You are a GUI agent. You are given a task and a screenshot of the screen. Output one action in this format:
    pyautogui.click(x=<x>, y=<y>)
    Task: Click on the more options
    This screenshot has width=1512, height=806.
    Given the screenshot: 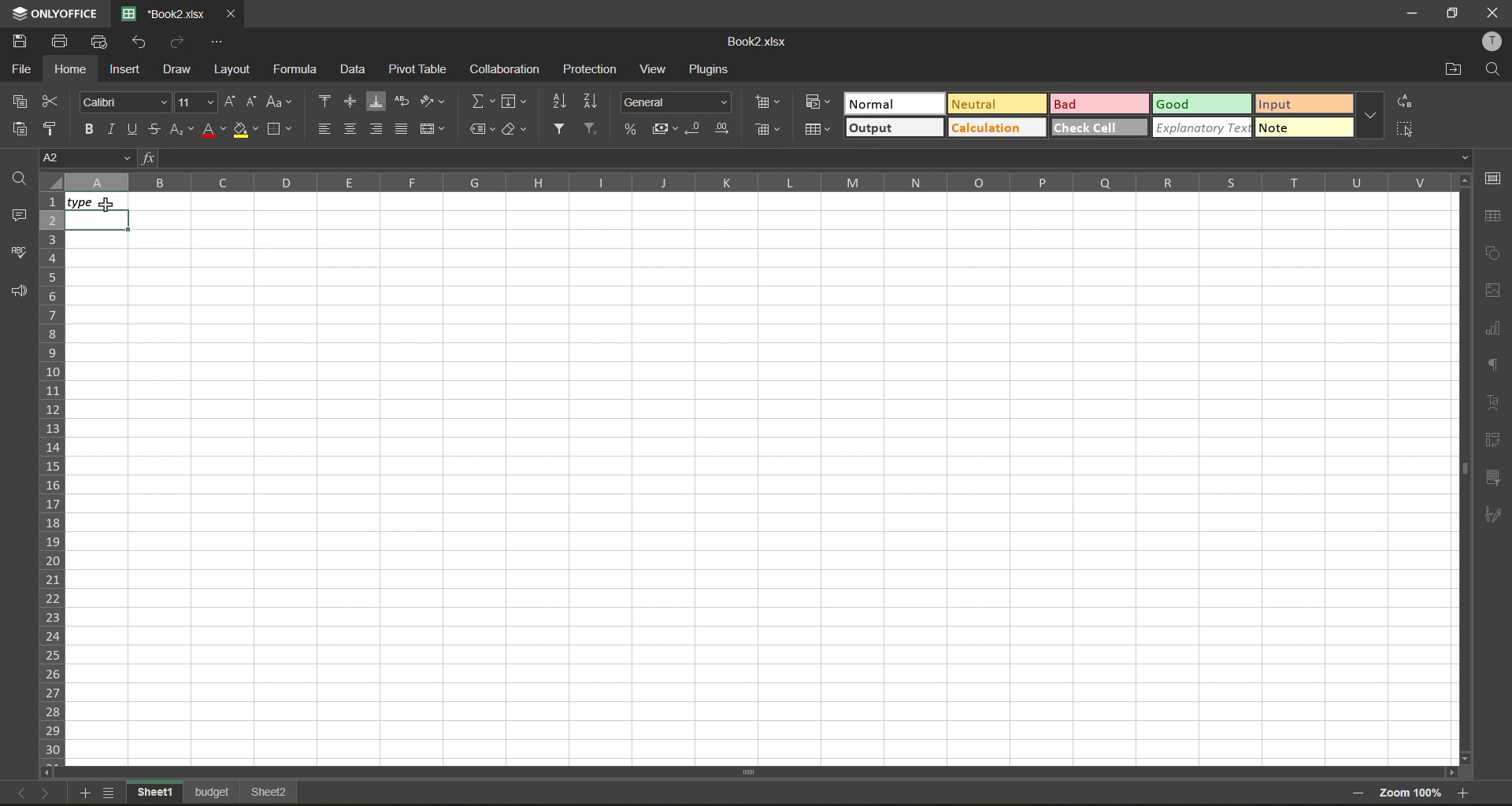 What is the action you would take?
    pyautogui.click(x=1373, y=115)
    